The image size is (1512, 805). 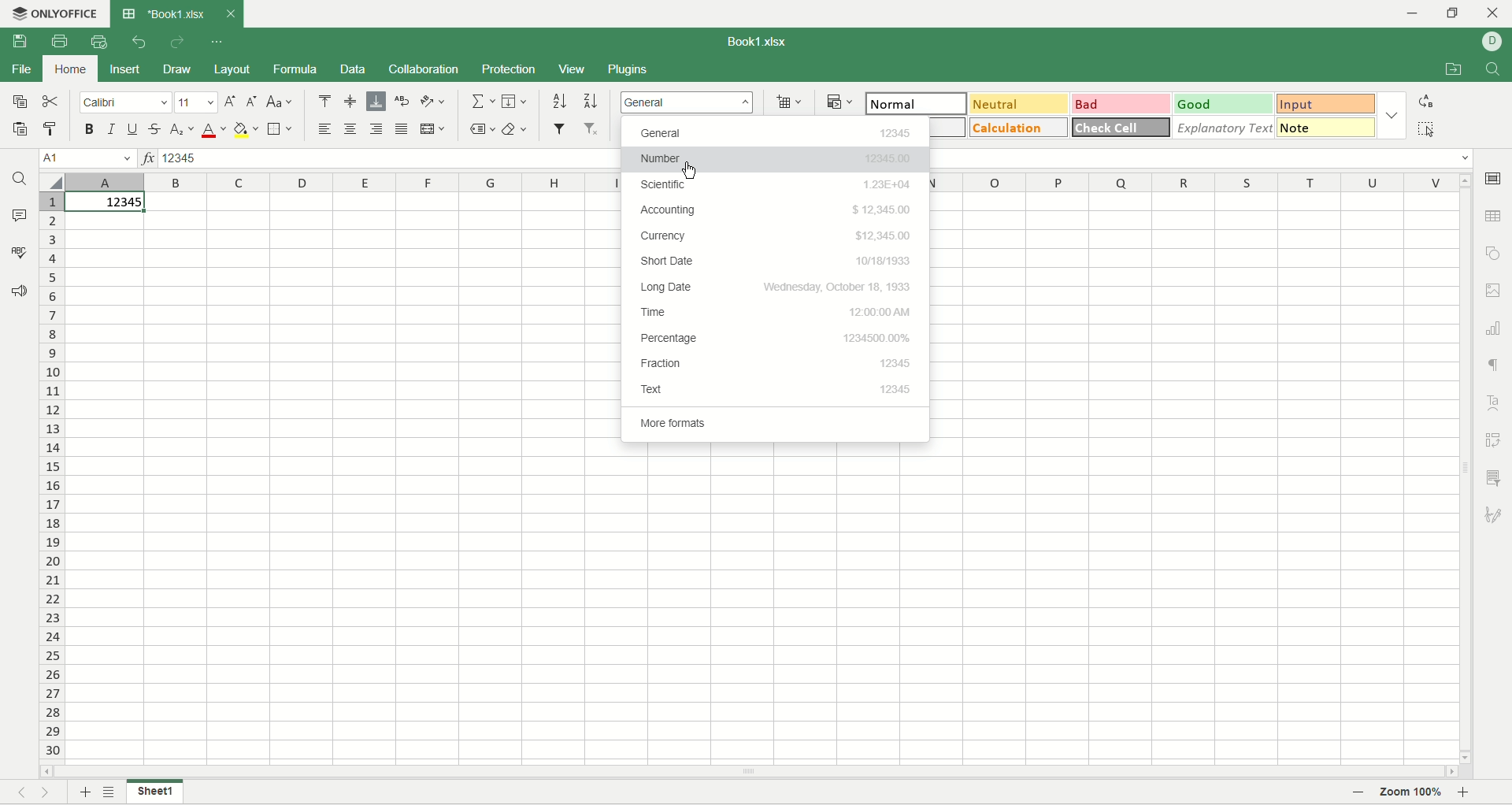 I want to click on subscript, so click(x=181, y=130).